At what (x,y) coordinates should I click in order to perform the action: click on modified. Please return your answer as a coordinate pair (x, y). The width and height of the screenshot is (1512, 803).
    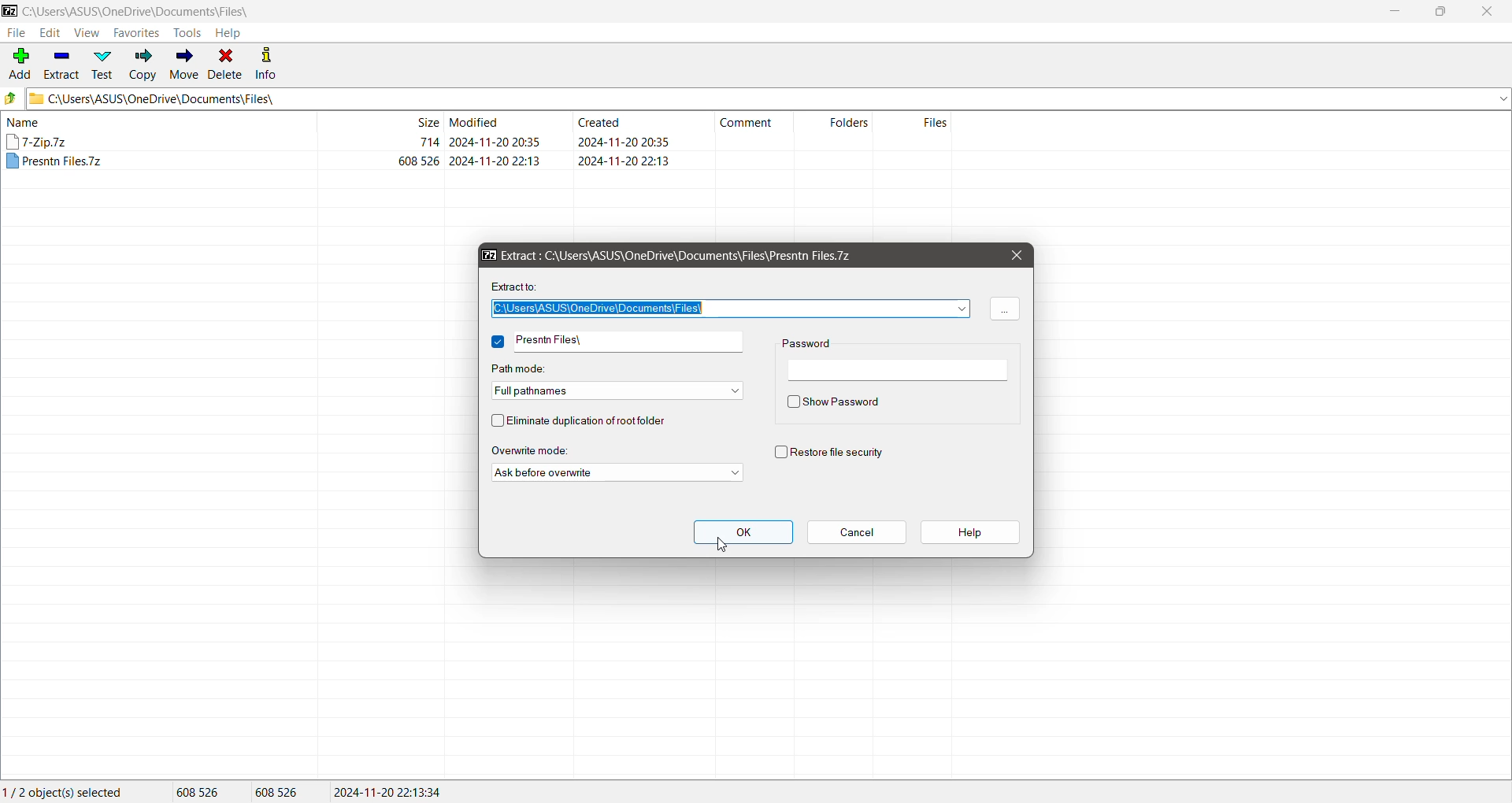
    Looking at the image, I should click on (476, 121).